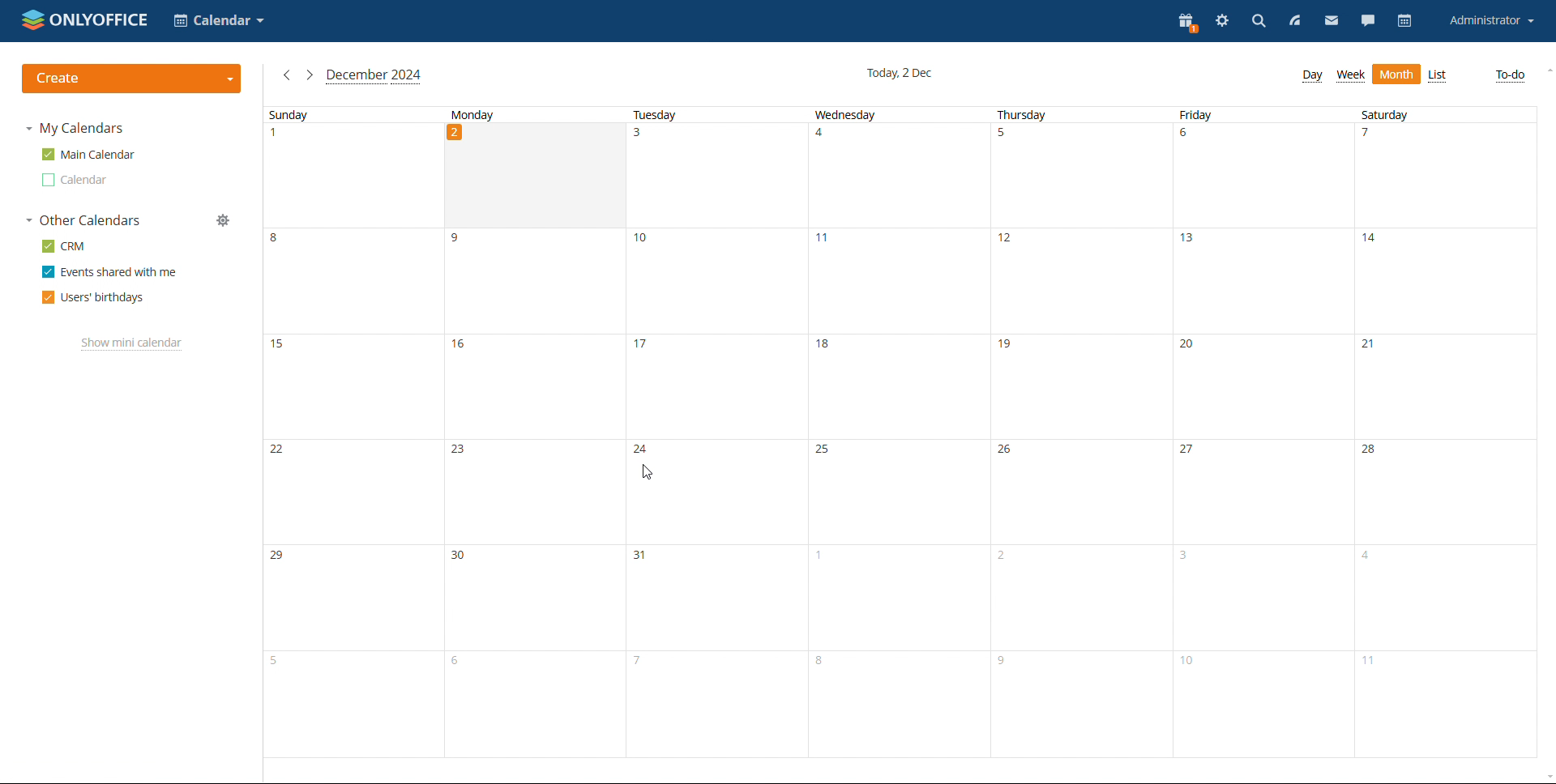 This screenshot has height=784, width=1556. What do you see at coordinates (1191, 244) in the screenshot?
I see `13` at bounding box center [1191, 244].